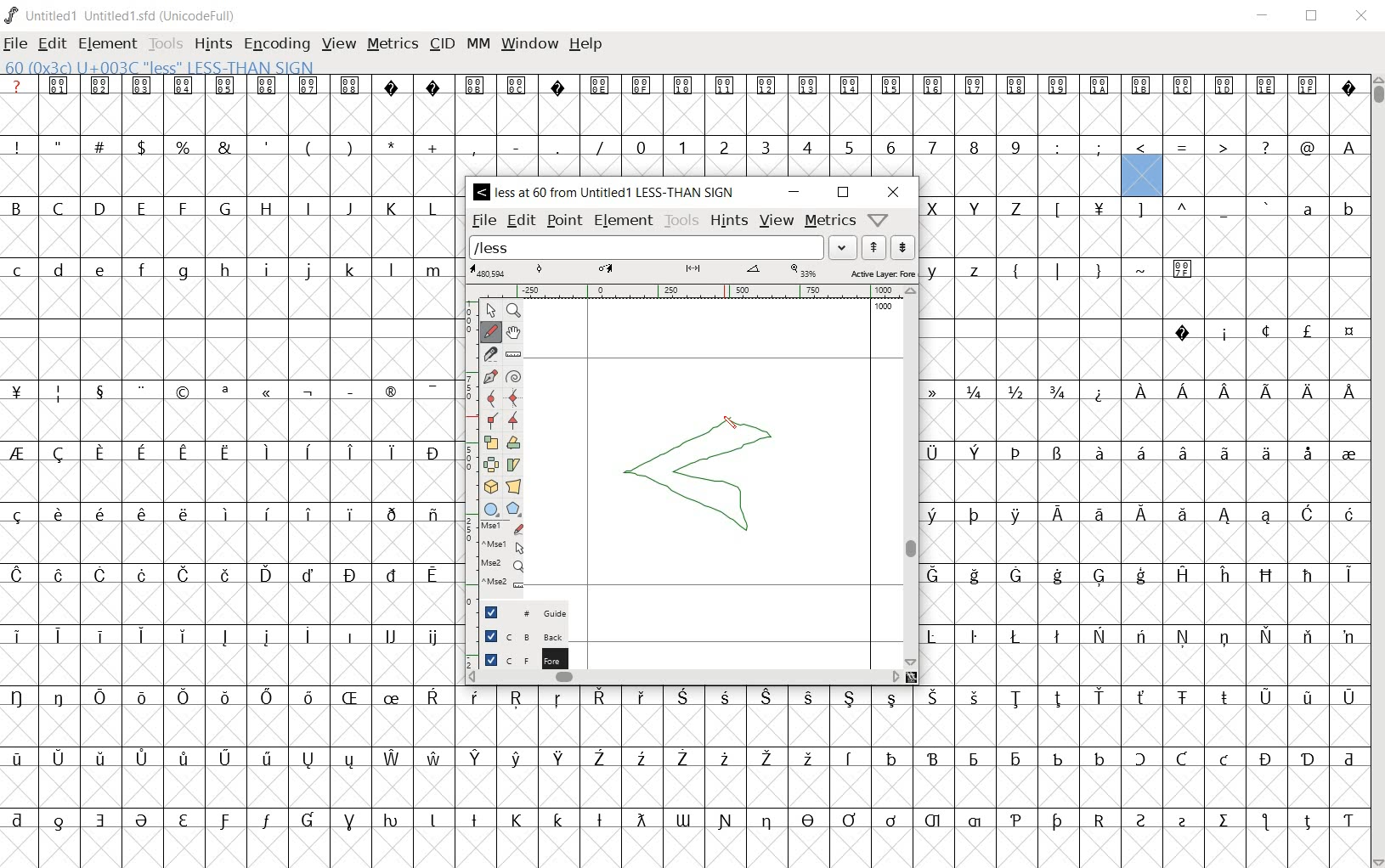 The height and width of the screenshot is (868, 1385). I want to click on hints, so click(730, 222).